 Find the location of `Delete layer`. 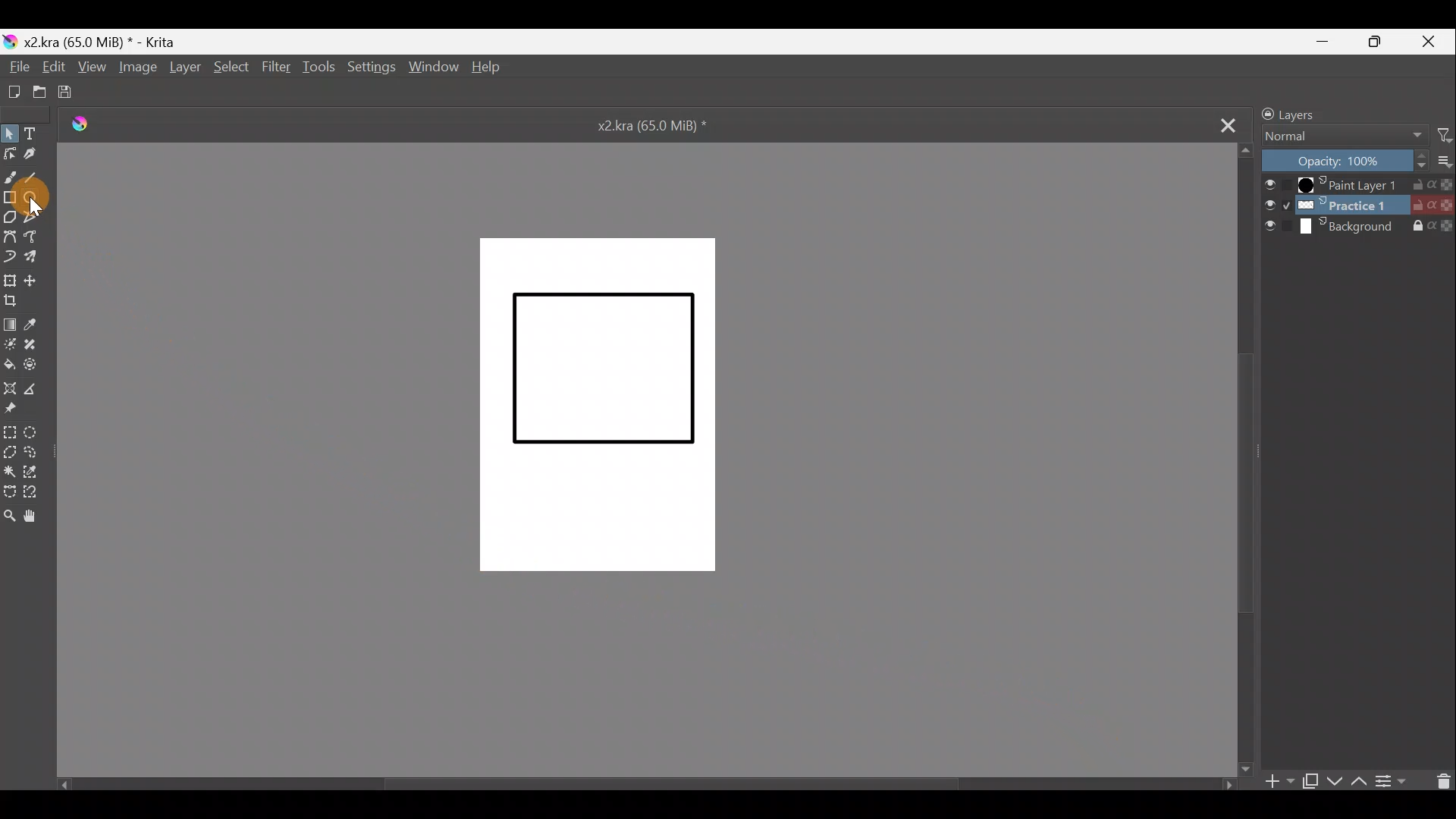

Delete layer is located at coordinates (1439, 782).